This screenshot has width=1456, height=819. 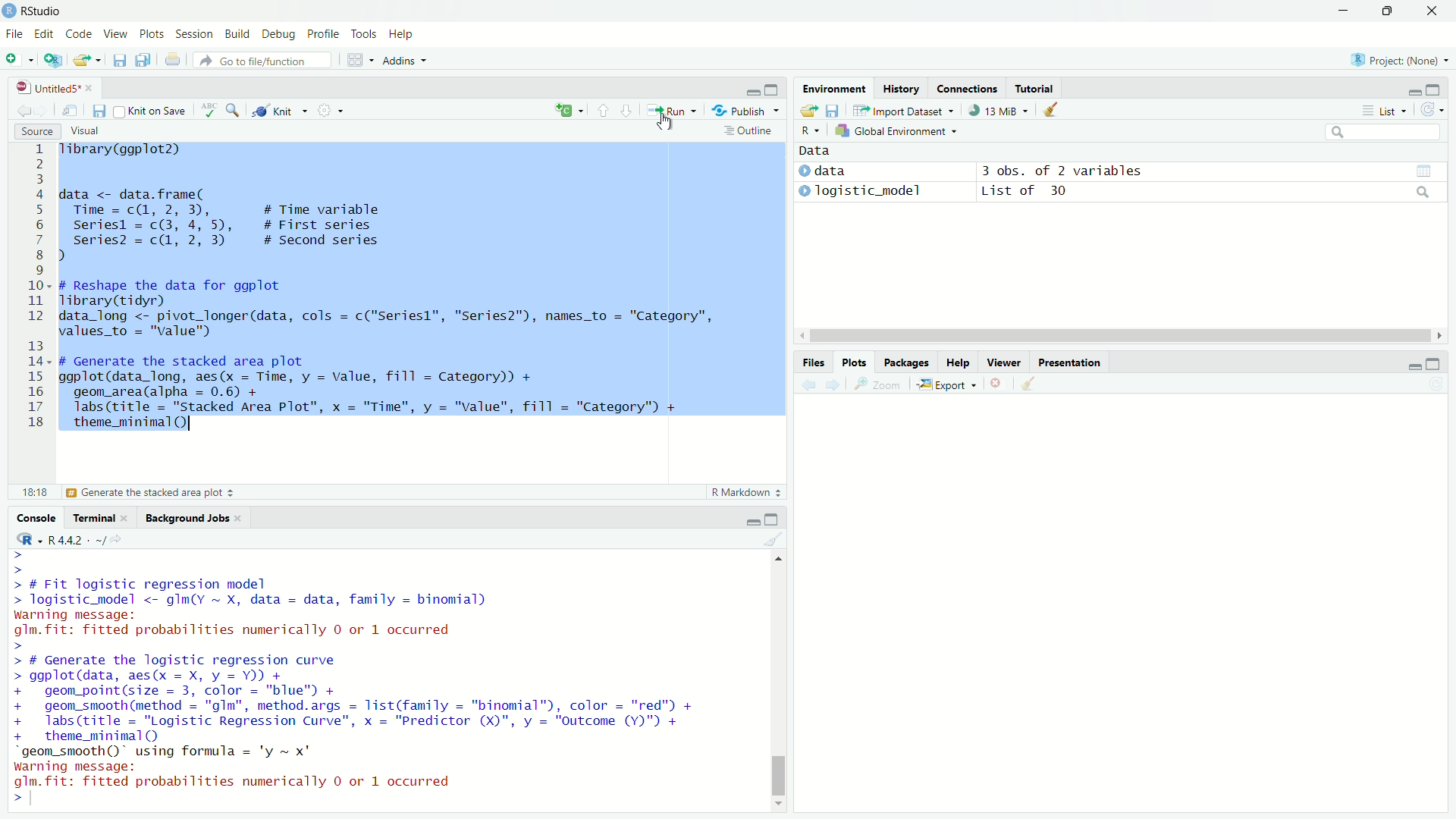 I want to click on abc, so click(x=209, y=111).